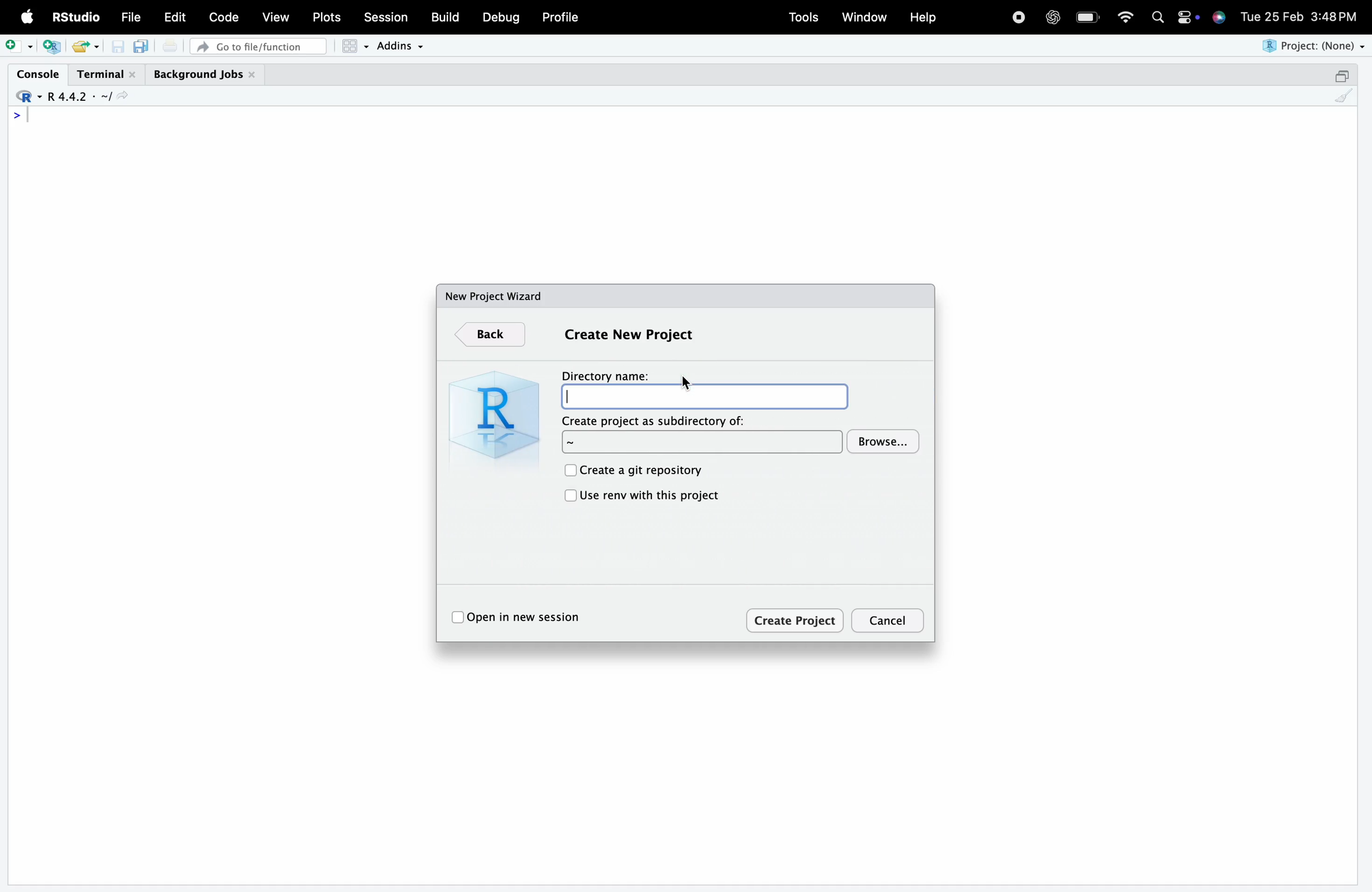 The width and height of the screenshot is (1372, 892). What do you see at coordinates (79, 47) in the screenshot?
I see `open an existing file` at bounding box center [79, 47].